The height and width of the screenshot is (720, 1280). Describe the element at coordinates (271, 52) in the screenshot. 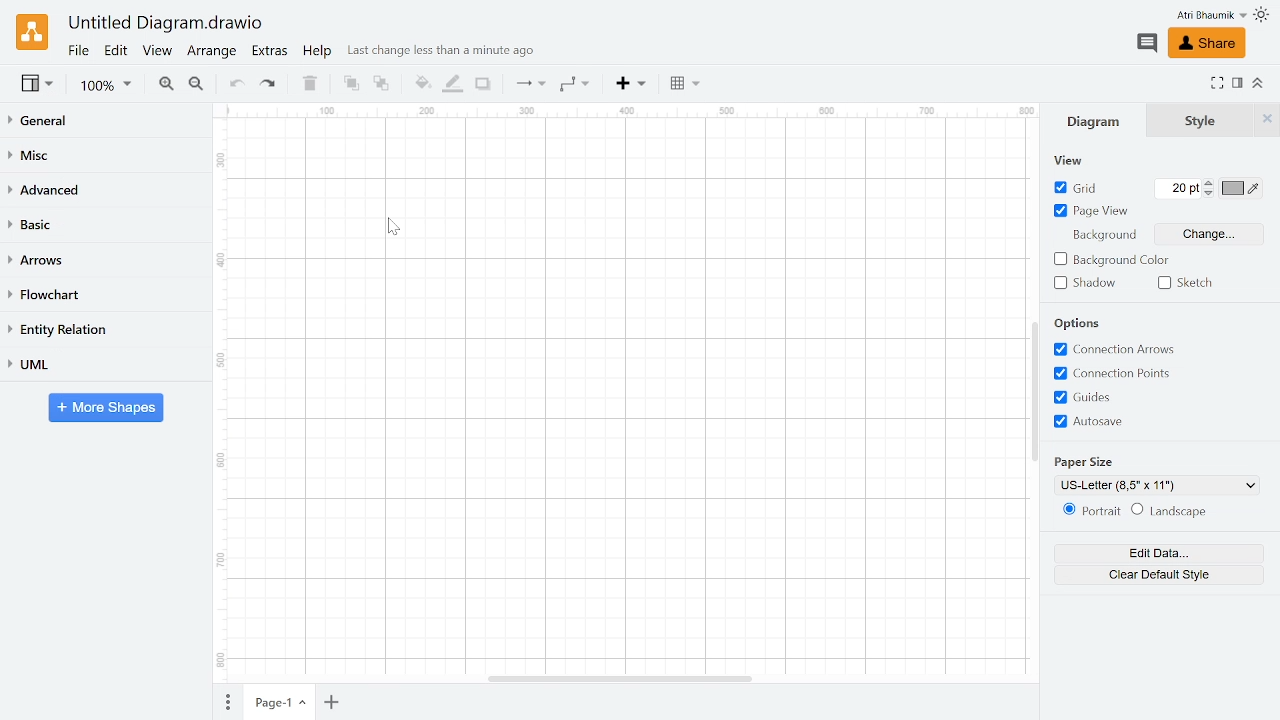

I see `Extras` at that location.